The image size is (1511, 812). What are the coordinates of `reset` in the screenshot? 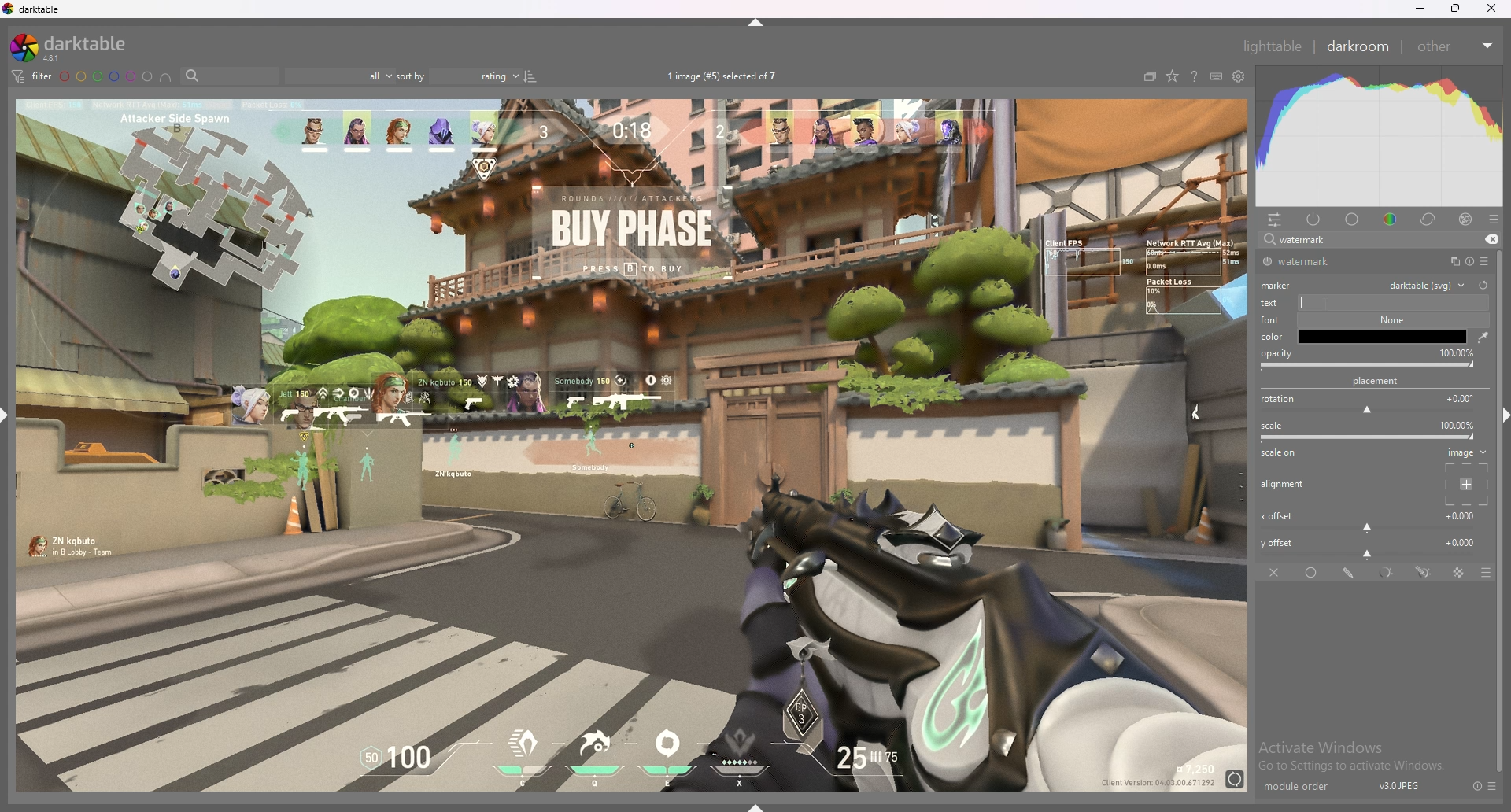 It's located at (1476, 786).